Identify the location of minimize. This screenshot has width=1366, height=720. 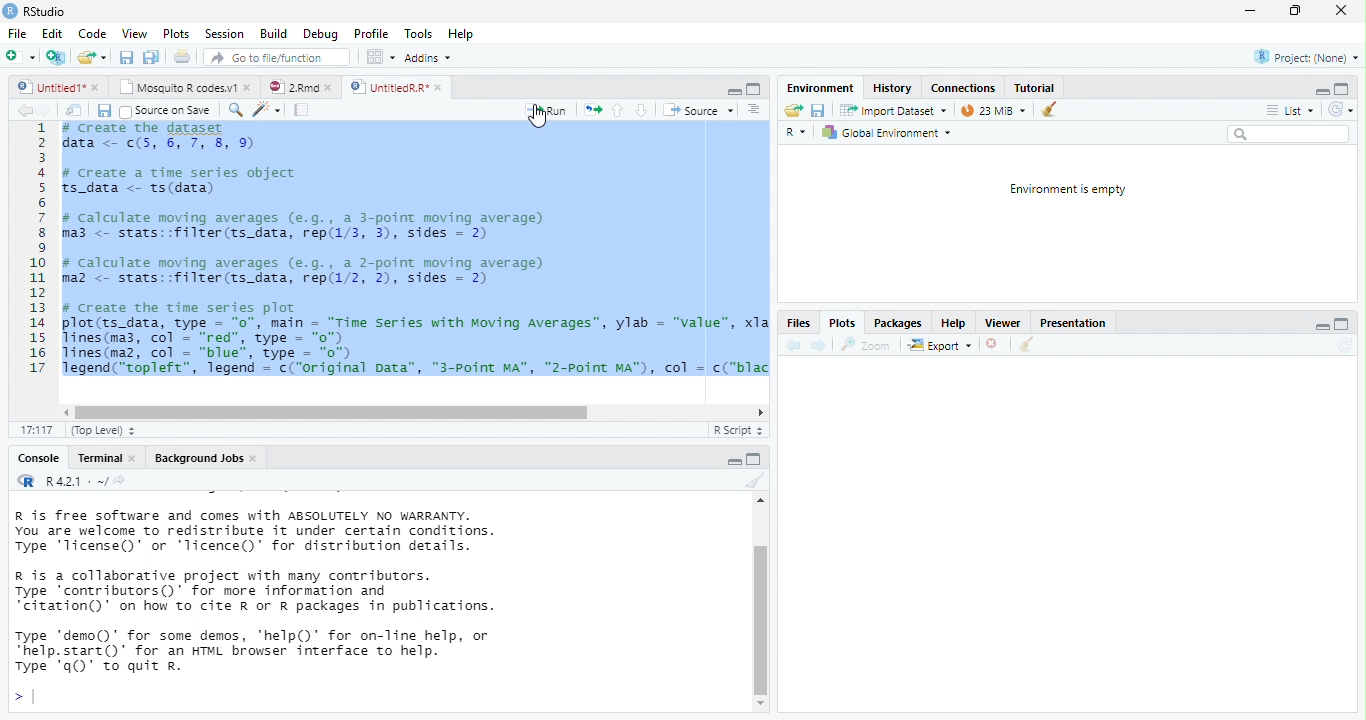
(1249, 12).